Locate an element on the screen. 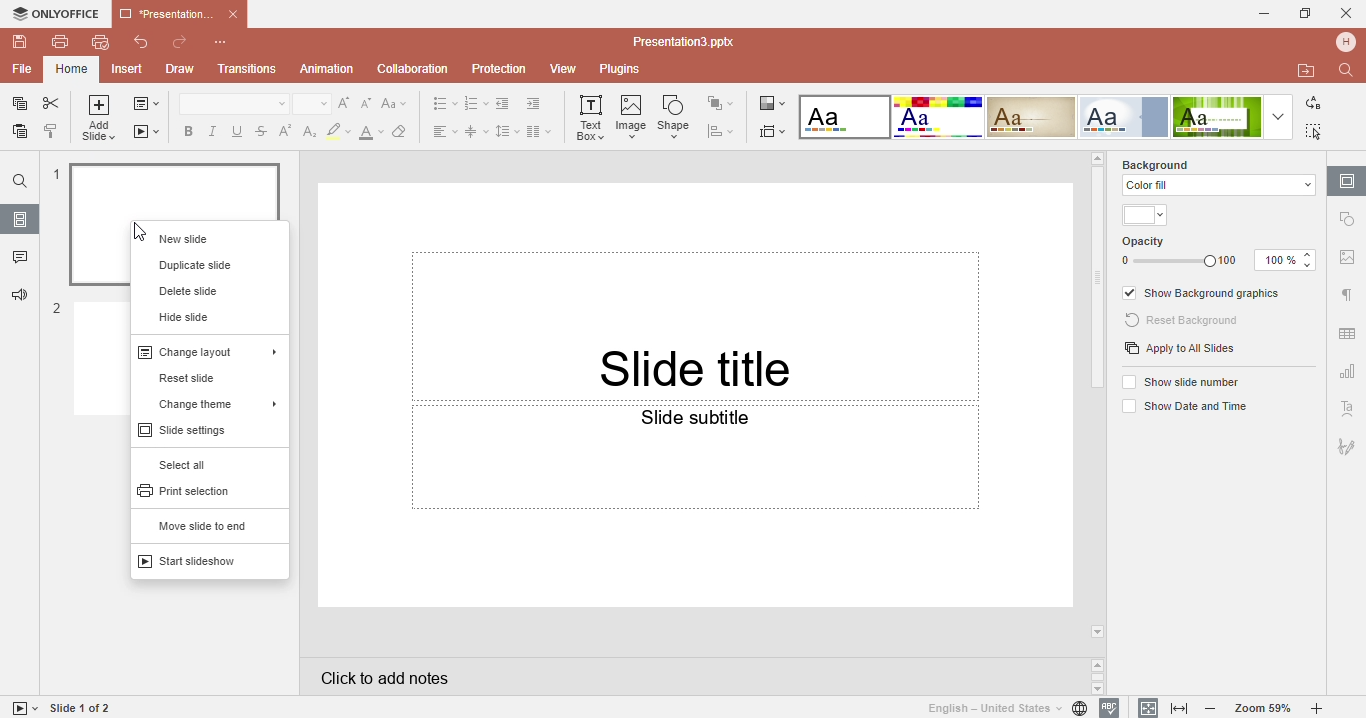 The width and height of the screenshot is (1366, 718). Slides  is located at coordinates (20, 219).